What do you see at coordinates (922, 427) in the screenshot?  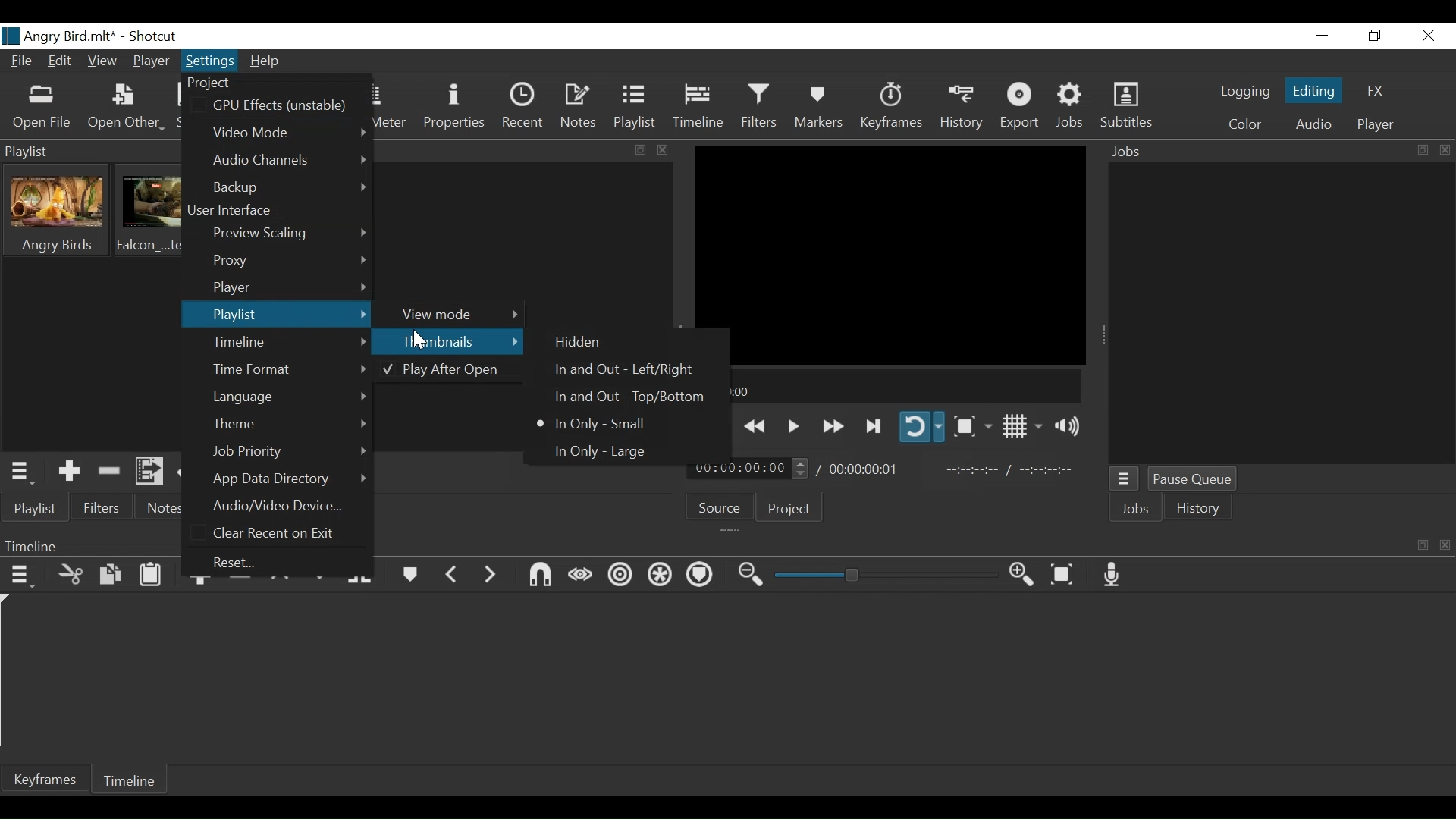 I see `Toggle player looping` at bounding box center [922, 427].